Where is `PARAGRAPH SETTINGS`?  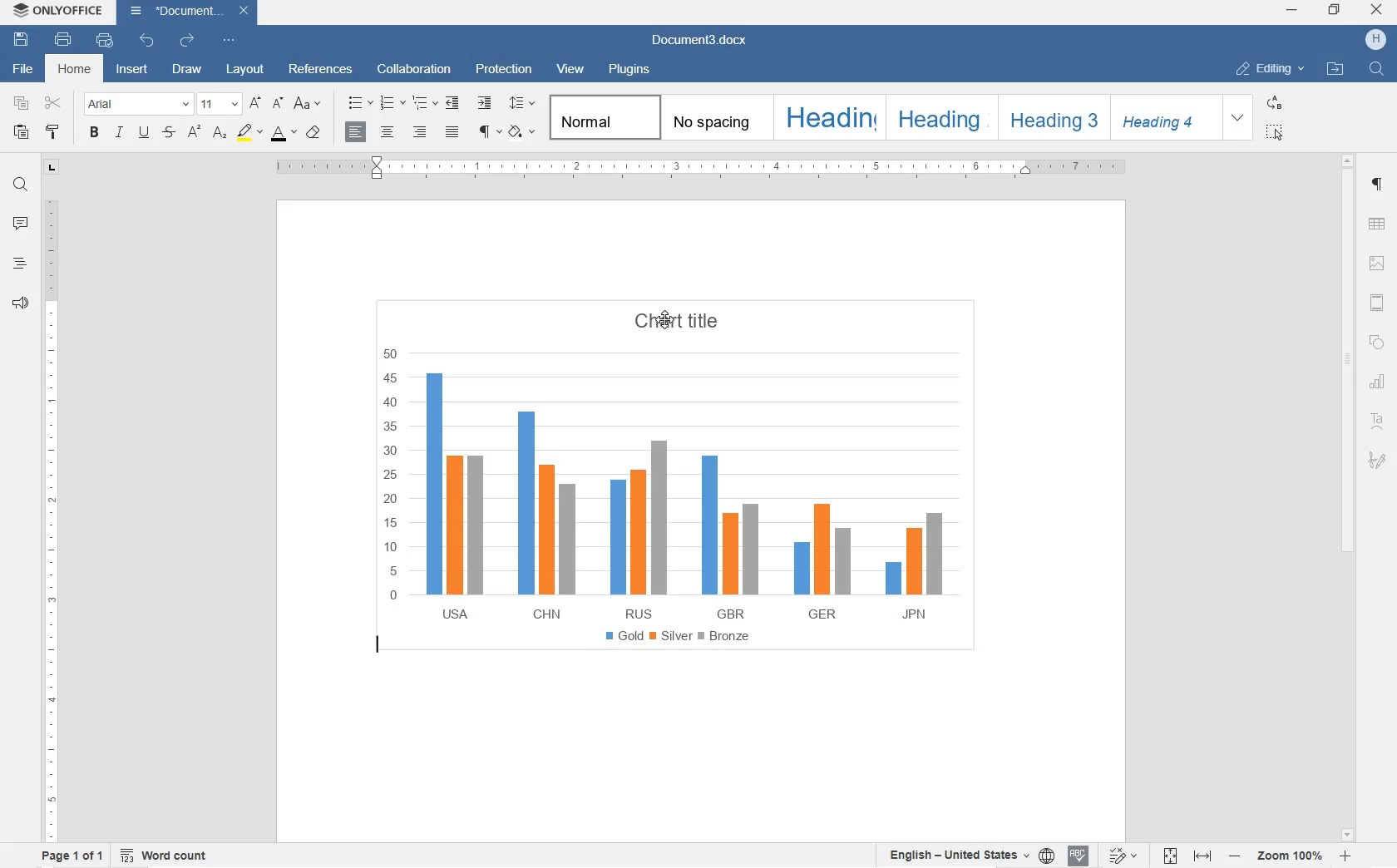 PARAGRAPH SETTINGS is located at coordinates (1377, 184).